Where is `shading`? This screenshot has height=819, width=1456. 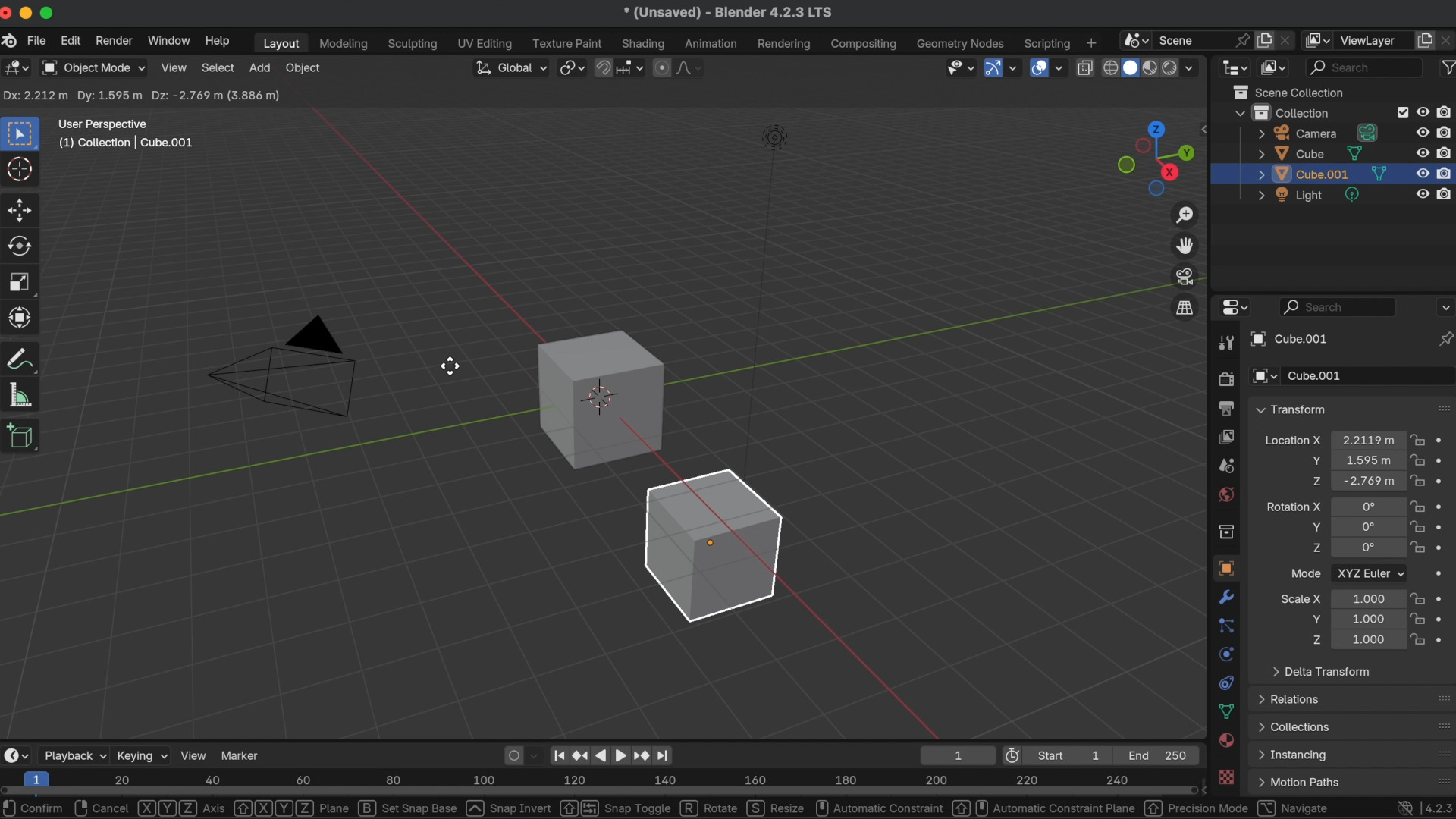
shading is located at coordinates (645, 43).